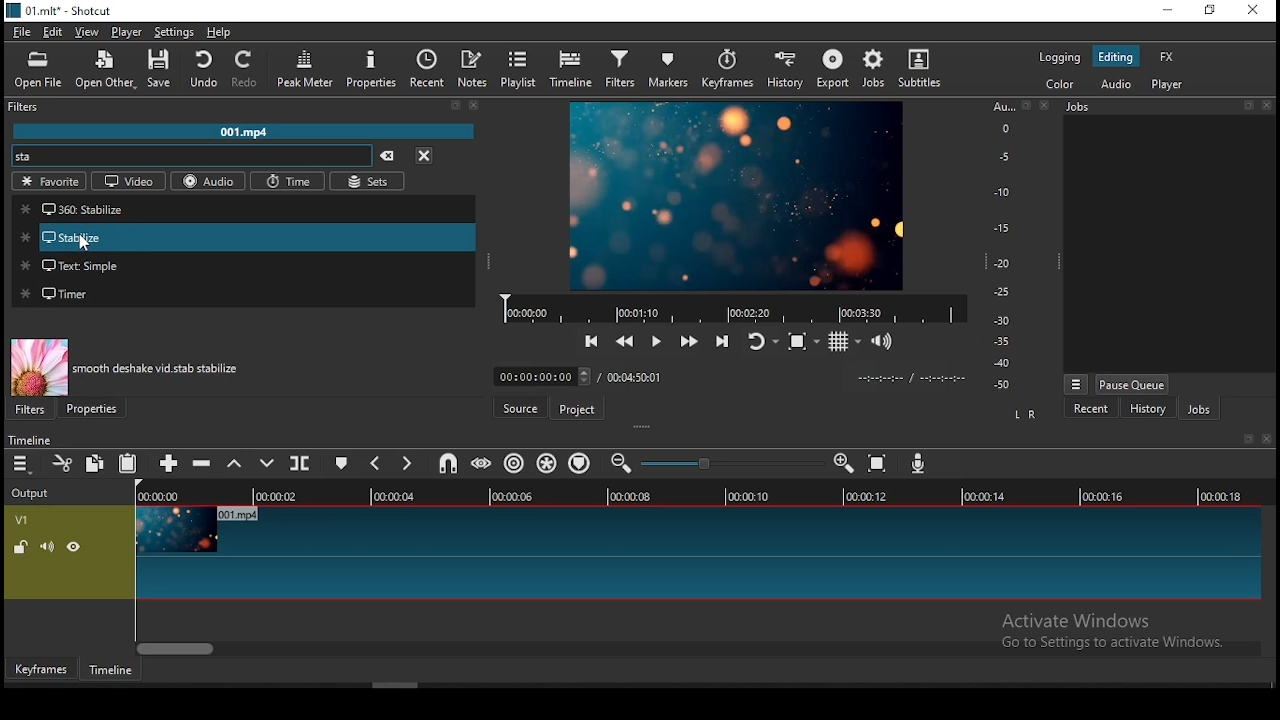 The height and width of the screenshot is (720, 1280). Describe the element at coordinates (519, 407) in the screenshot. I see `source` at that location.